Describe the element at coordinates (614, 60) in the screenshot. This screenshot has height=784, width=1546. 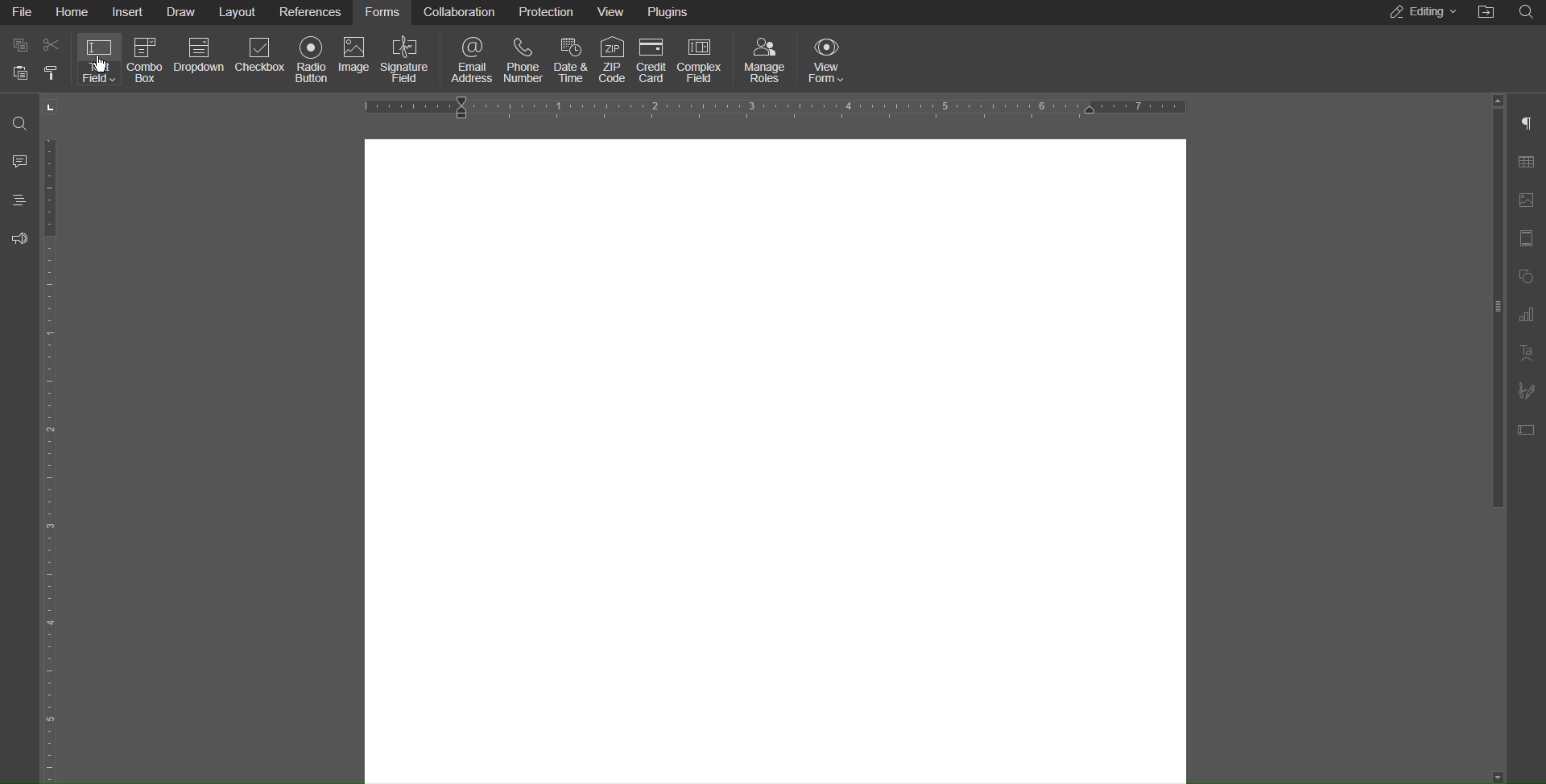
I see `ZIP Code` at that location.